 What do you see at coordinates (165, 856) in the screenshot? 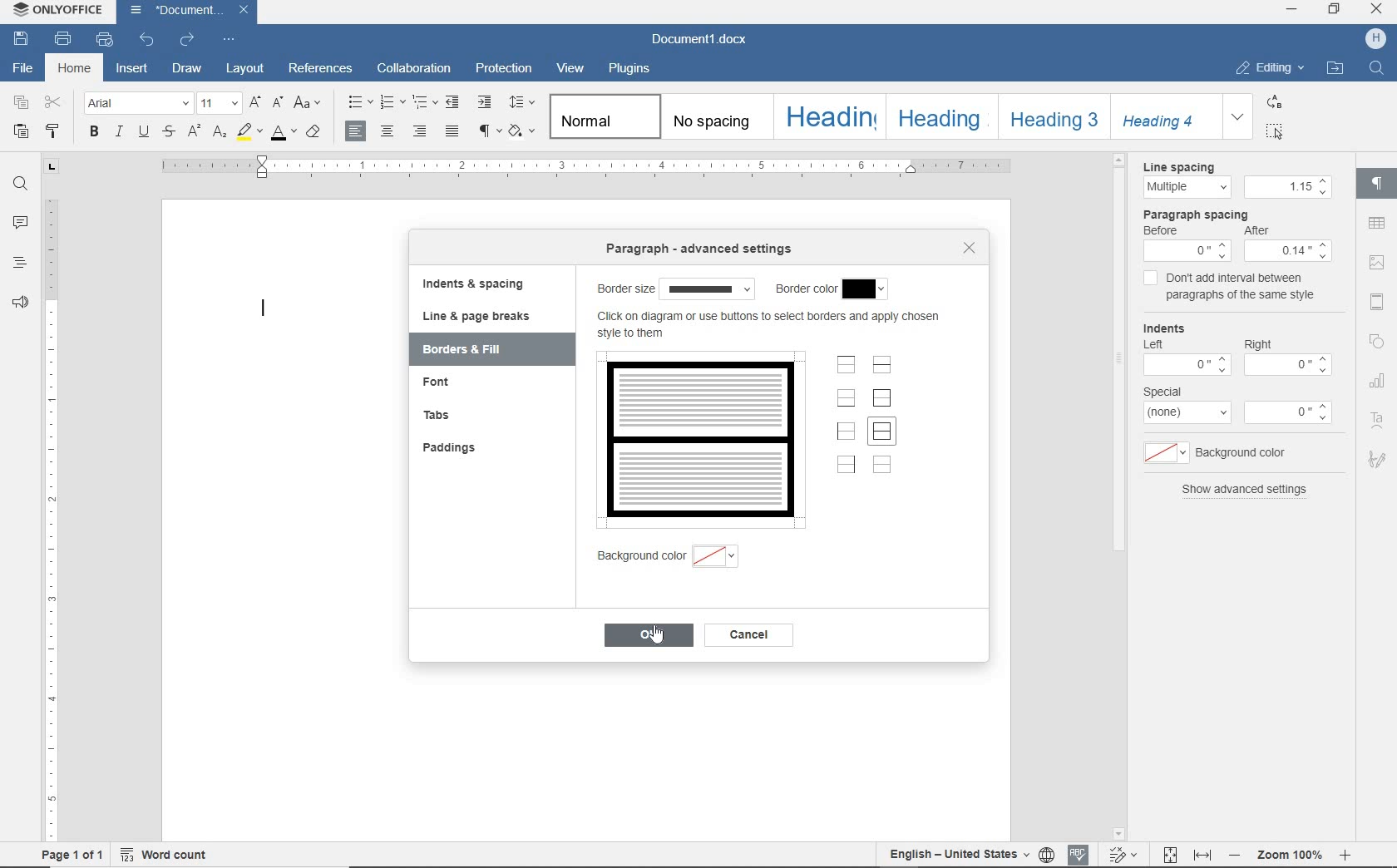
I see `word count` at bounding box center [165, 856].